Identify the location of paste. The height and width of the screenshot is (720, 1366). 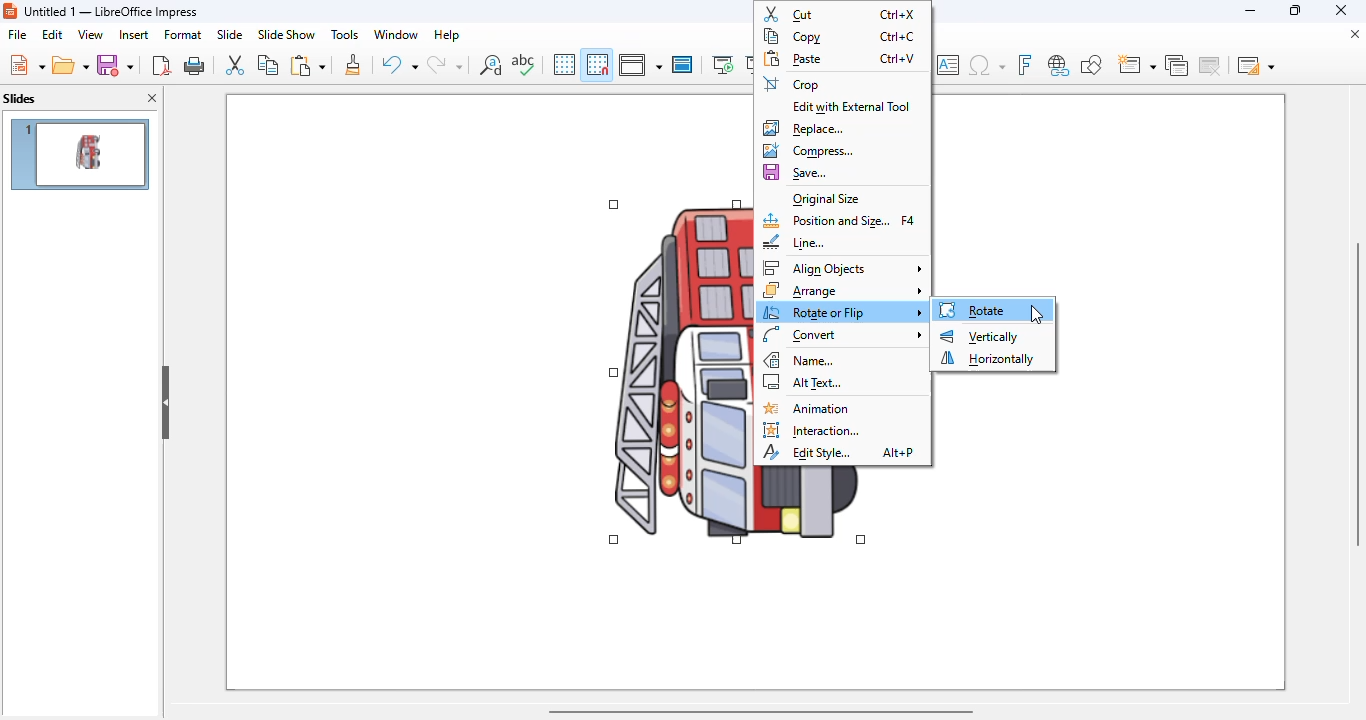
(843, 59).